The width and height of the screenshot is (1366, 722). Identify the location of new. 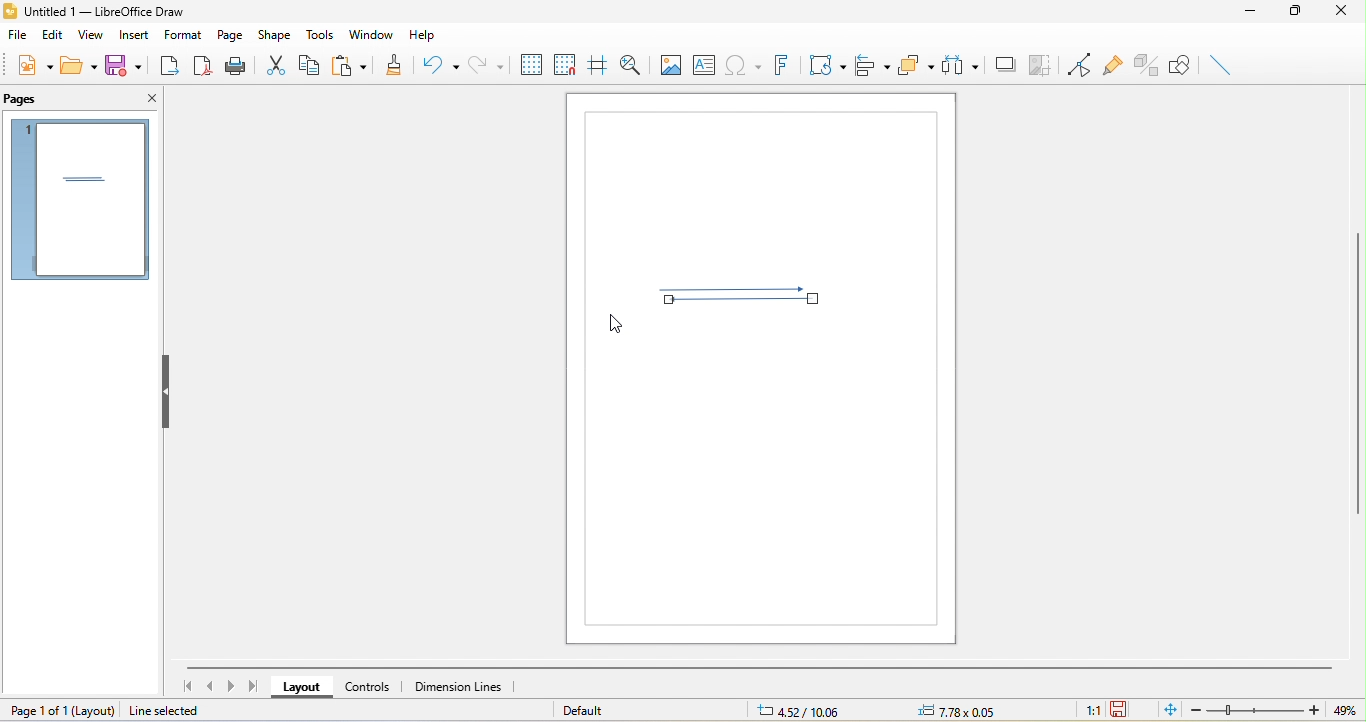
(33, 65).